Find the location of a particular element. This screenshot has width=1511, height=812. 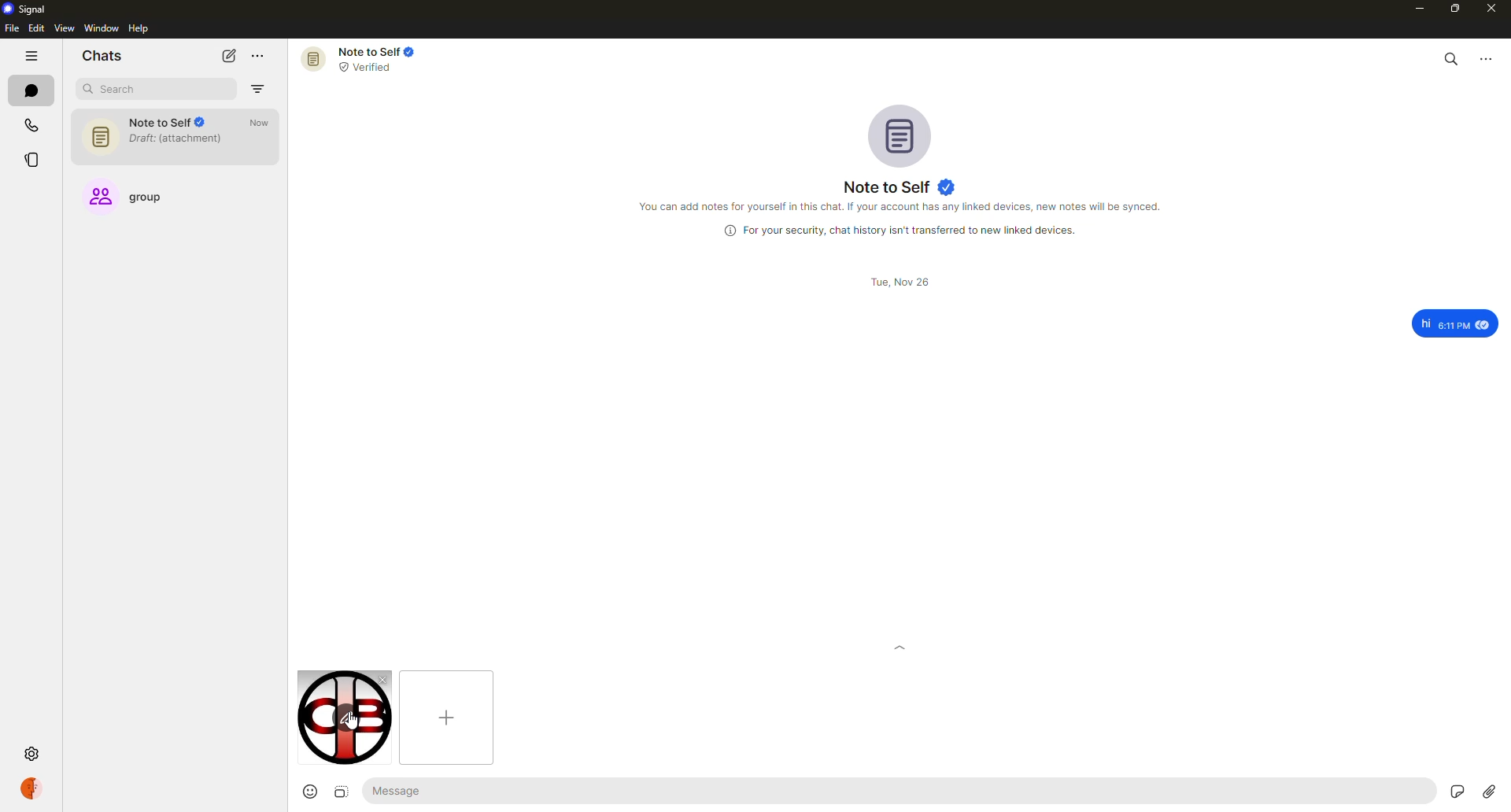

minimize is located at coordinates (1417, 9).